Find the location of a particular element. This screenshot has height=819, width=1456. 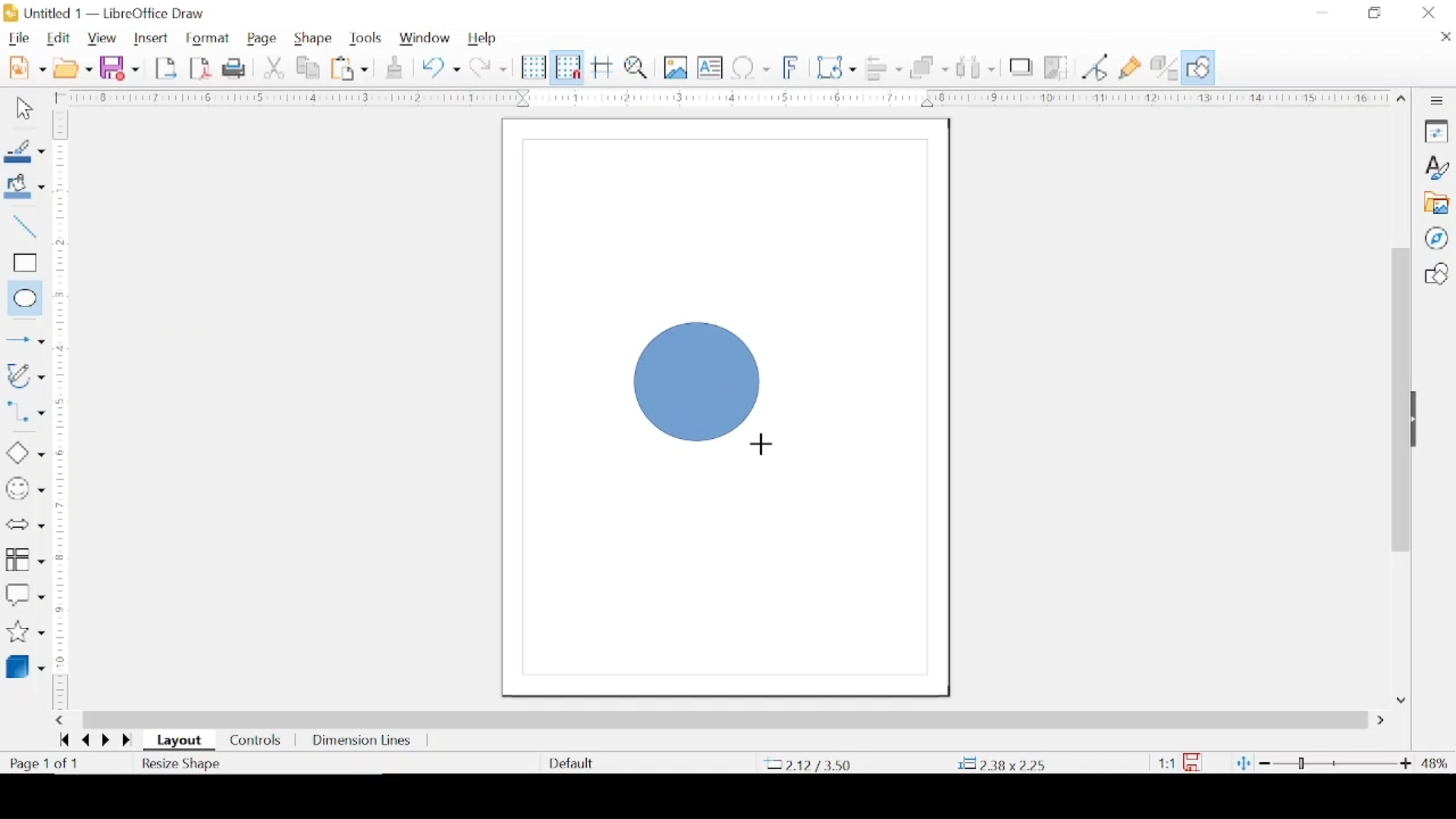

margin is located at coordinates (63, 212).